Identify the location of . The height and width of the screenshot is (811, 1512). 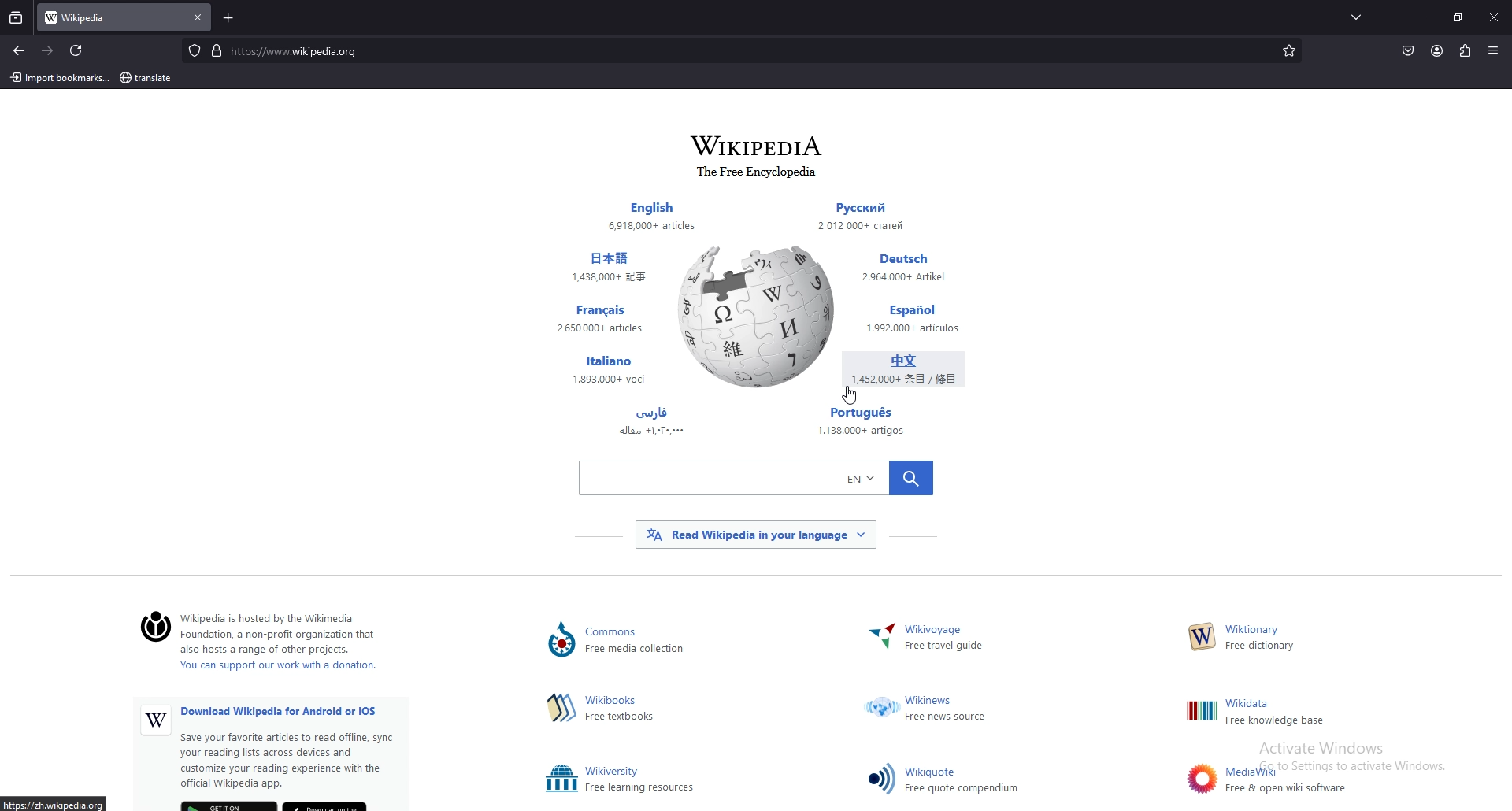
(882, 709).